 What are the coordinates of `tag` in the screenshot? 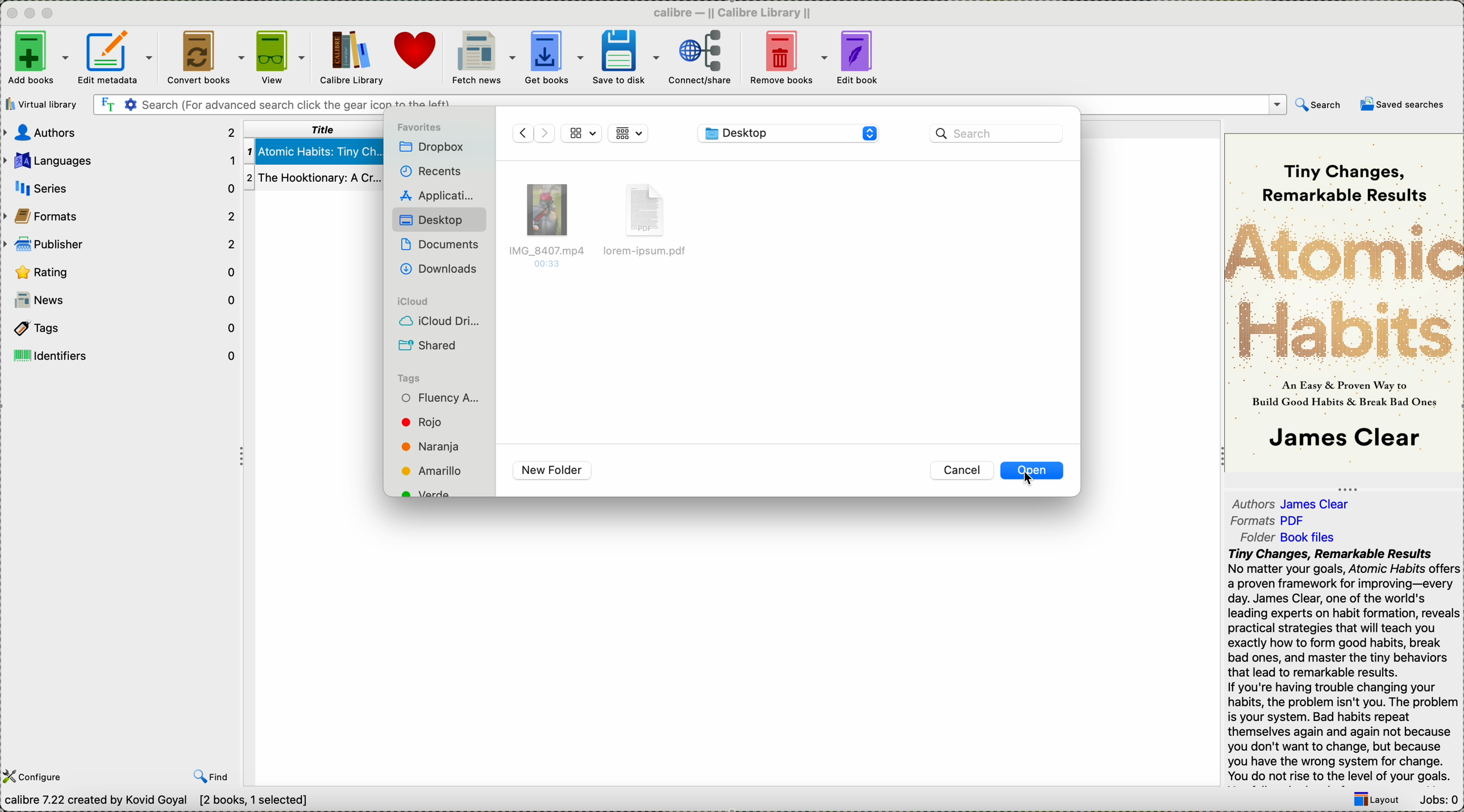 It's located at (428, 493).